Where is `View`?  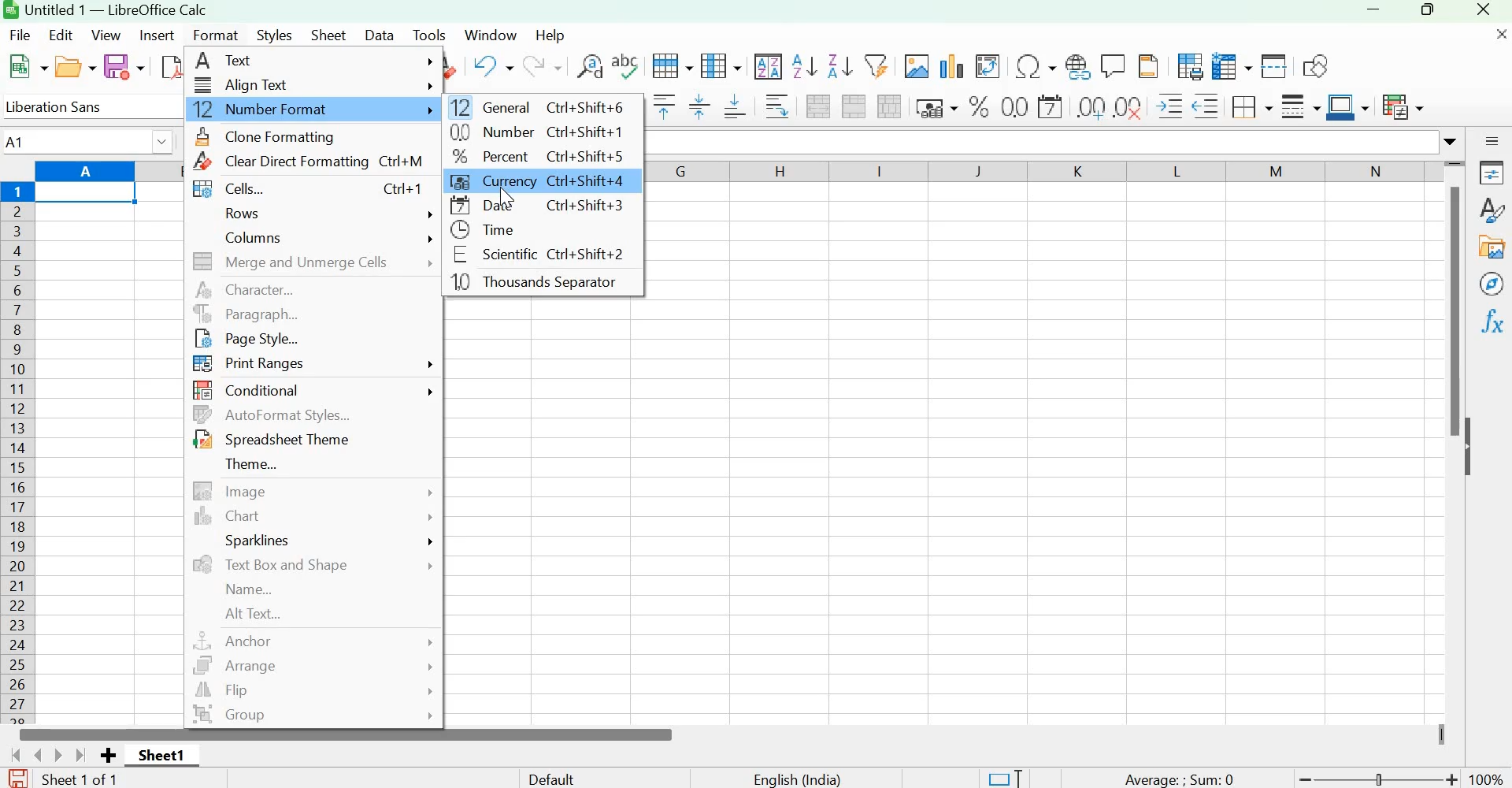 View is located at coordinates (108, 35).